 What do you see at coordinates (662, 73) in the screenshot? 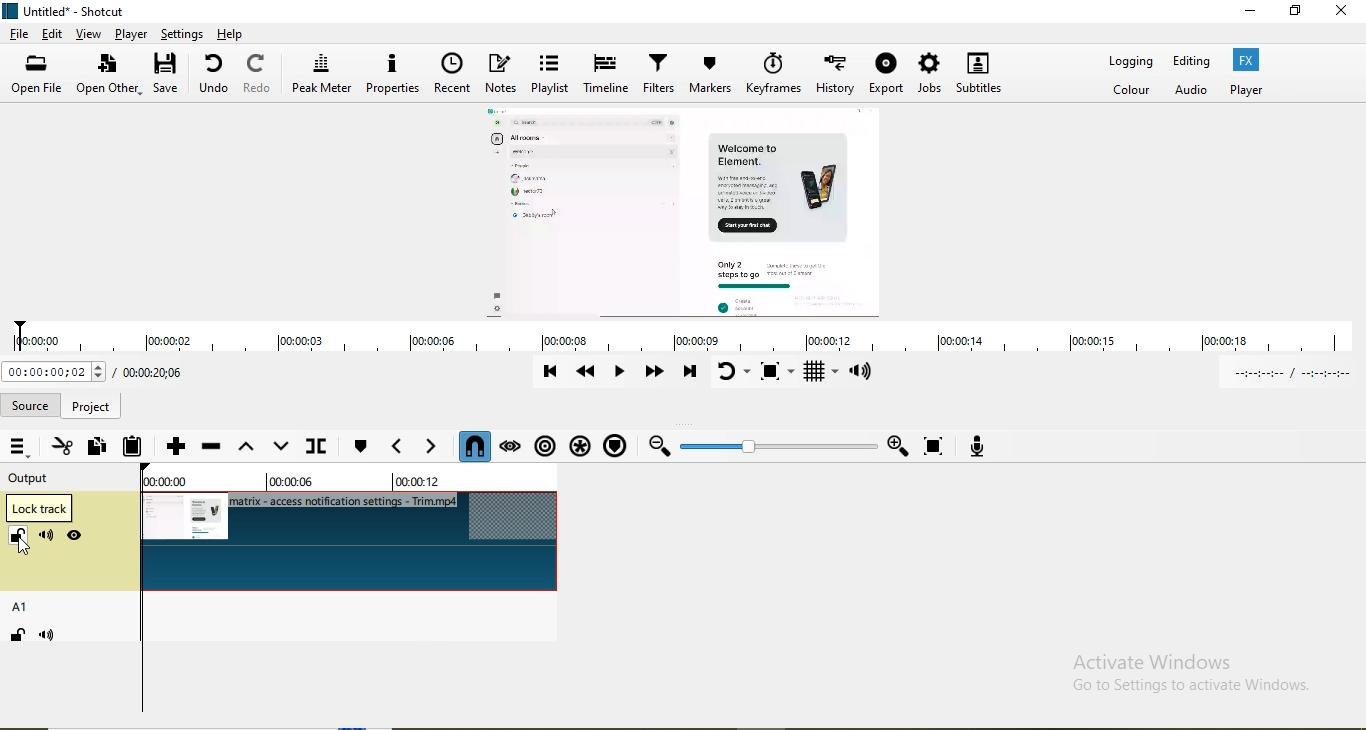
I see `Filters` at bounding box center [662, 73].